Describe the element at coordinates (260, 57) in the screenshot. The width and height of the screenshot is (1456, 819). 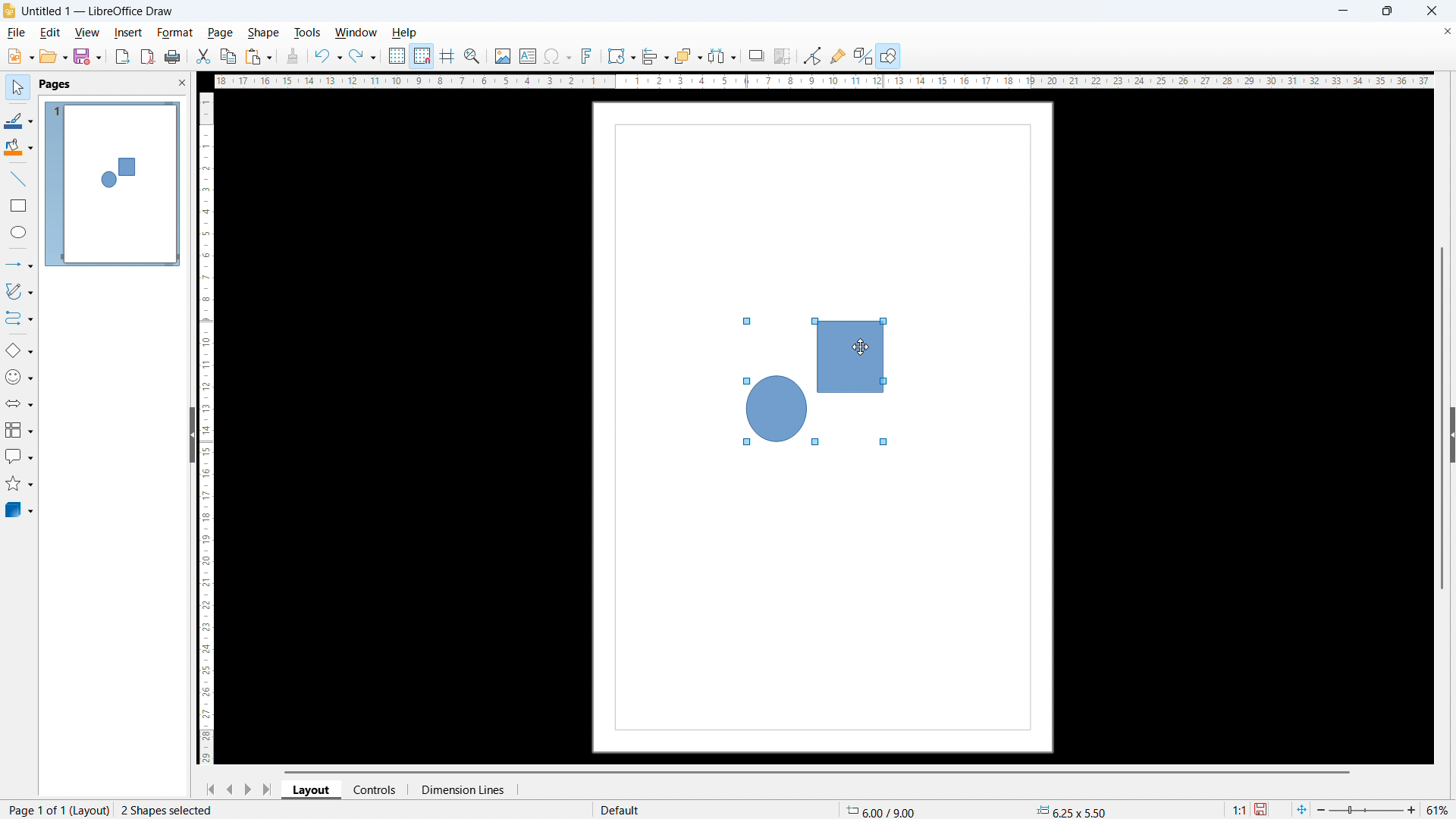
I see `paste` at that location.